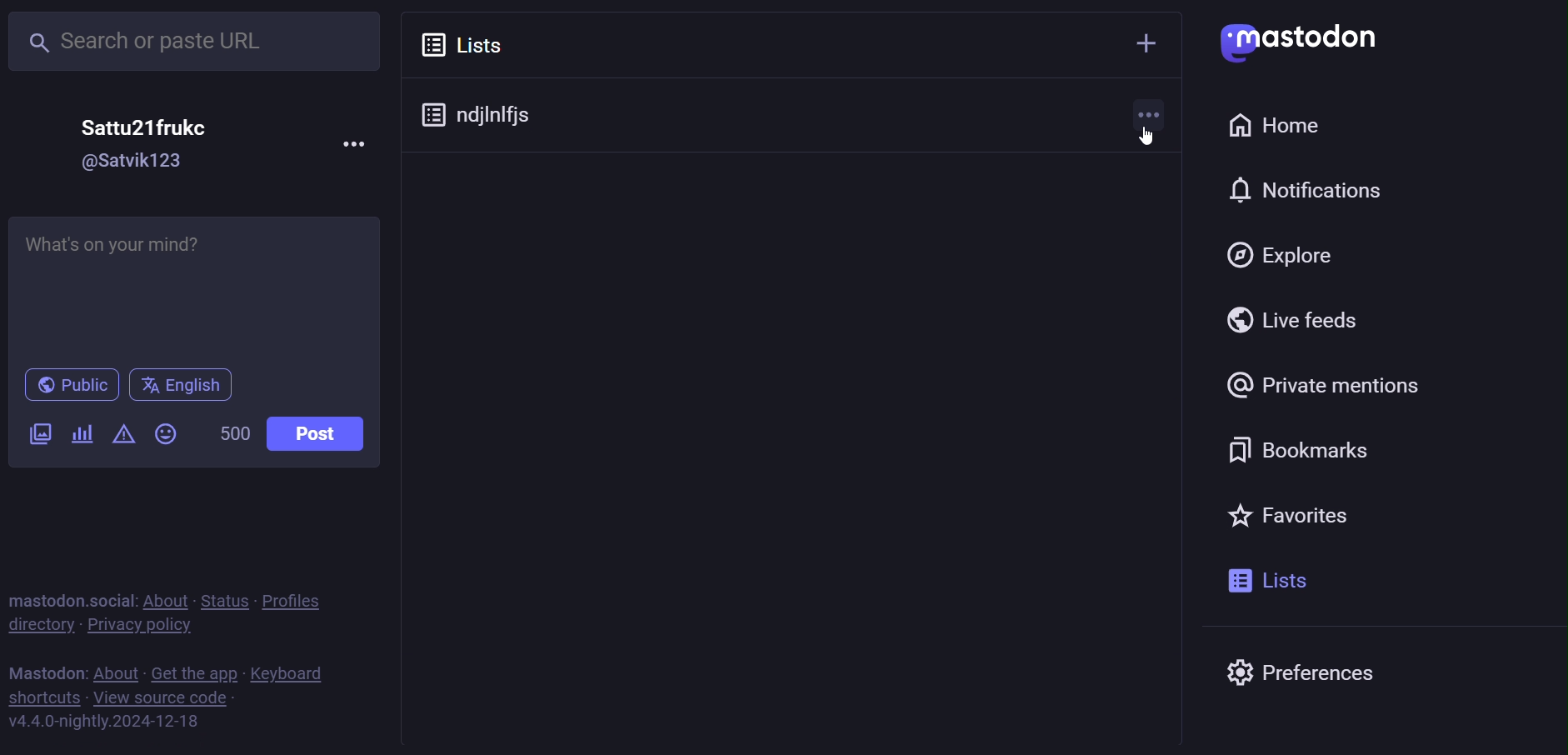 The width and height of the screenshot is (1568, 755). What do you see at coordinates (1317, 192) in the screenshot?
I see `notification` at bounding box center [1317, 192].